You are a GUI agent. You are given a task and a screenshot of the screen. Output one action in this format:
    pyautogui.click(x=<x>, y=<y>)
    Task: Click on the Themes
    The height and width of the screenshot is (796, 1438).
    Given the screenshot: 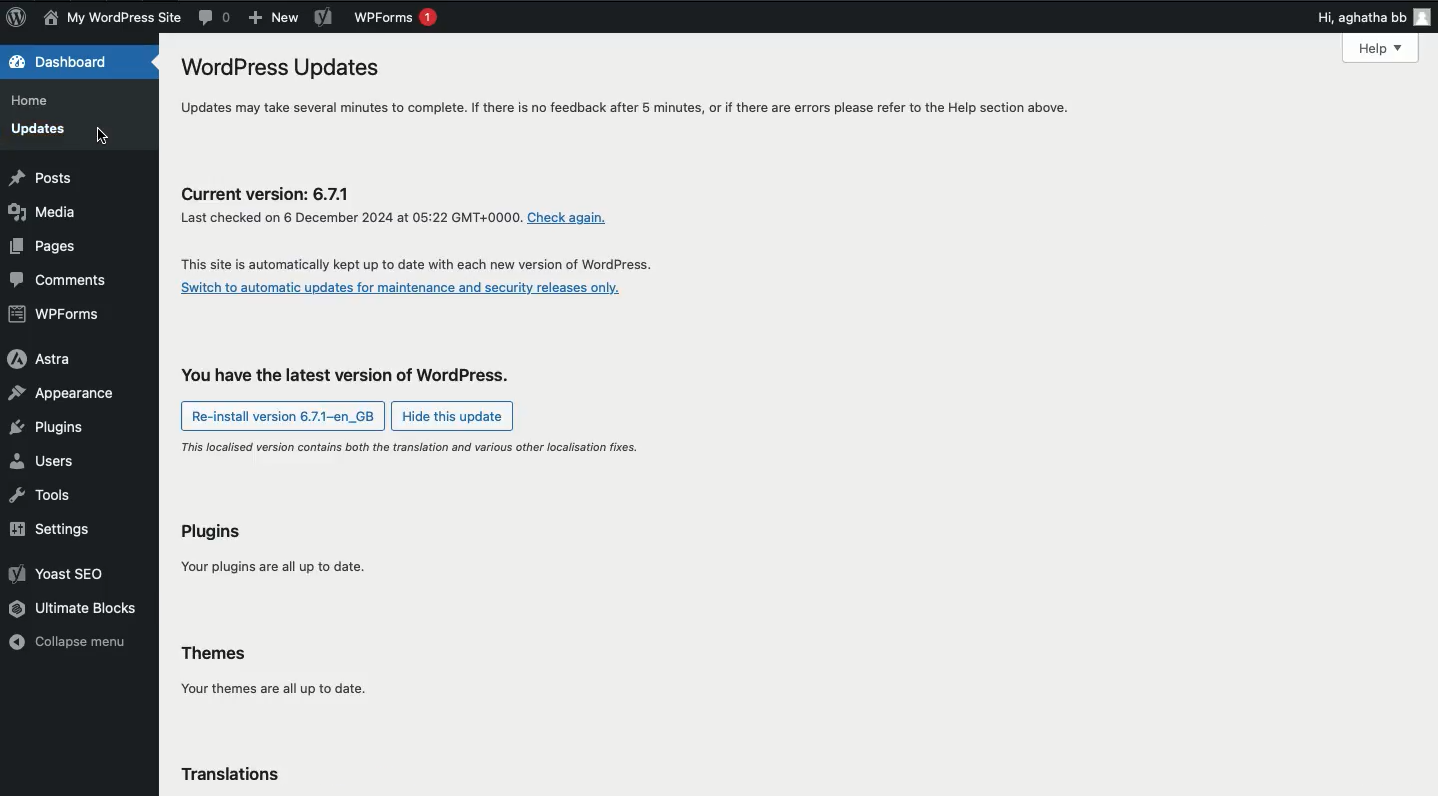 What is the action you would take?
    pyautogui.click(x=275, y=673)
    